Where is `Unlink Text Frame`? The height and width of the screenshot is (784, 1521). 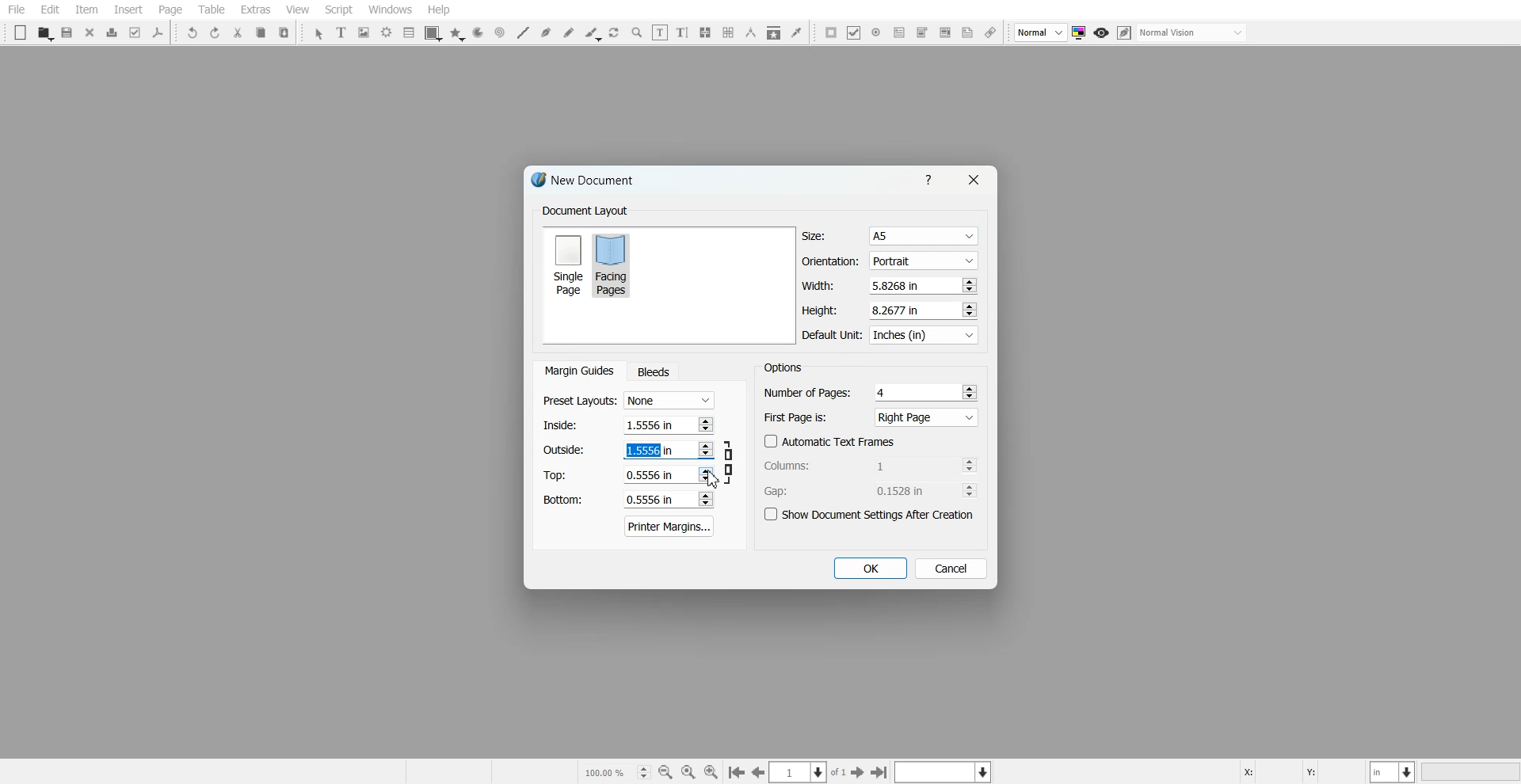 Unlink Text Frame is located at coordinates (729, 32).